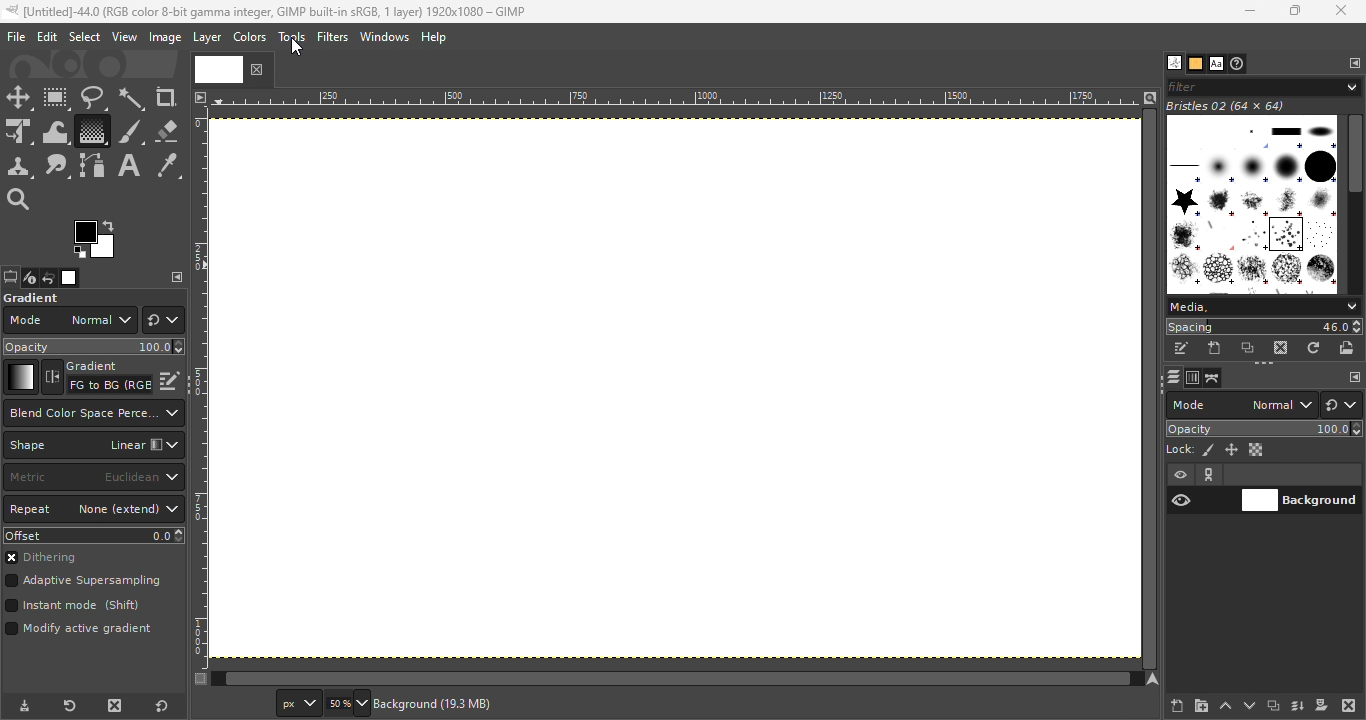  I want to click on Navigate, so click(1155, 679).